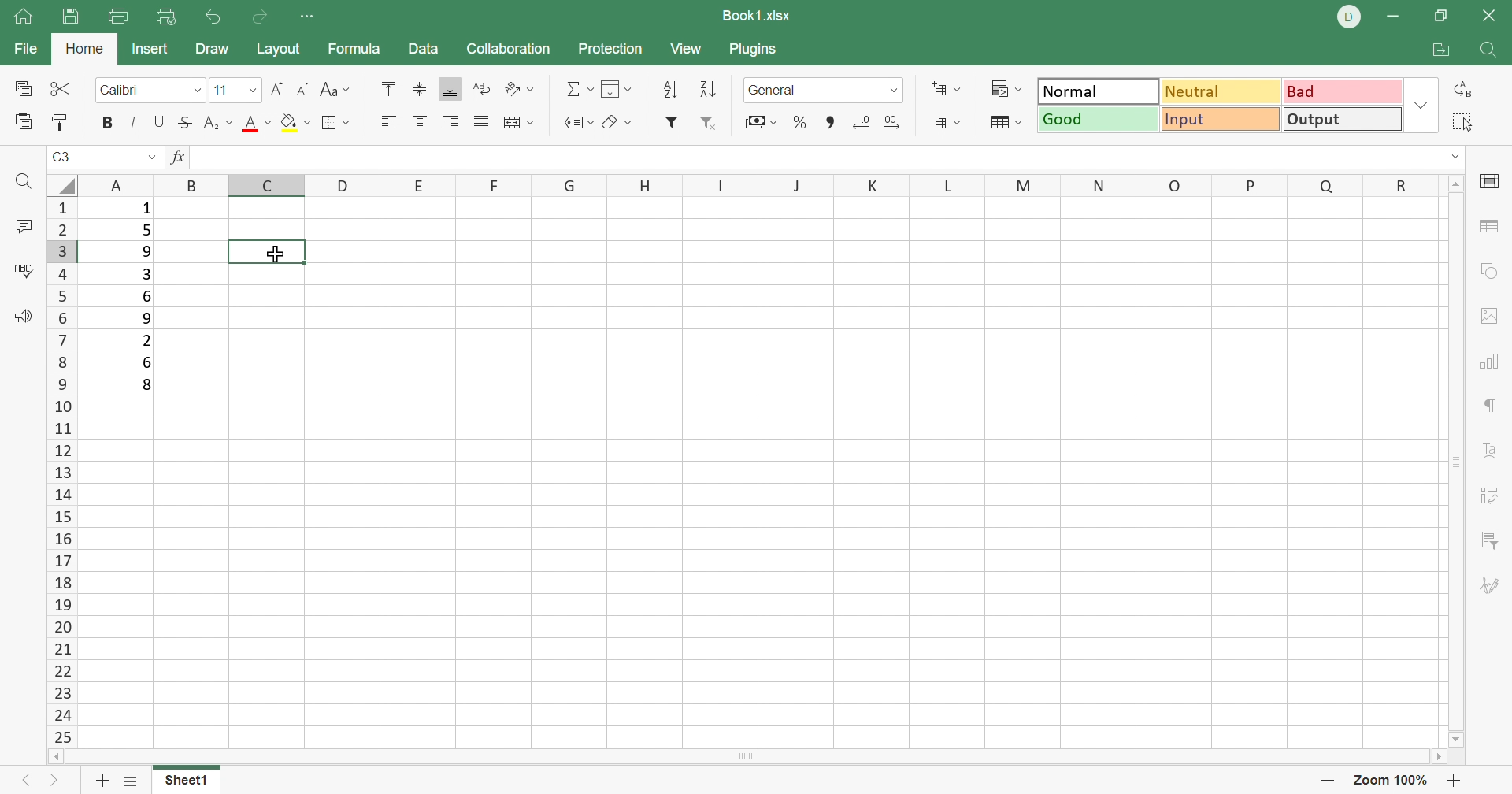 The height and width of the screenshot is (794, 1512). What do you see at coordinates (1492, 451) in the screenshot?
I see `Text Art settings` at bounding box center [1492, 451].